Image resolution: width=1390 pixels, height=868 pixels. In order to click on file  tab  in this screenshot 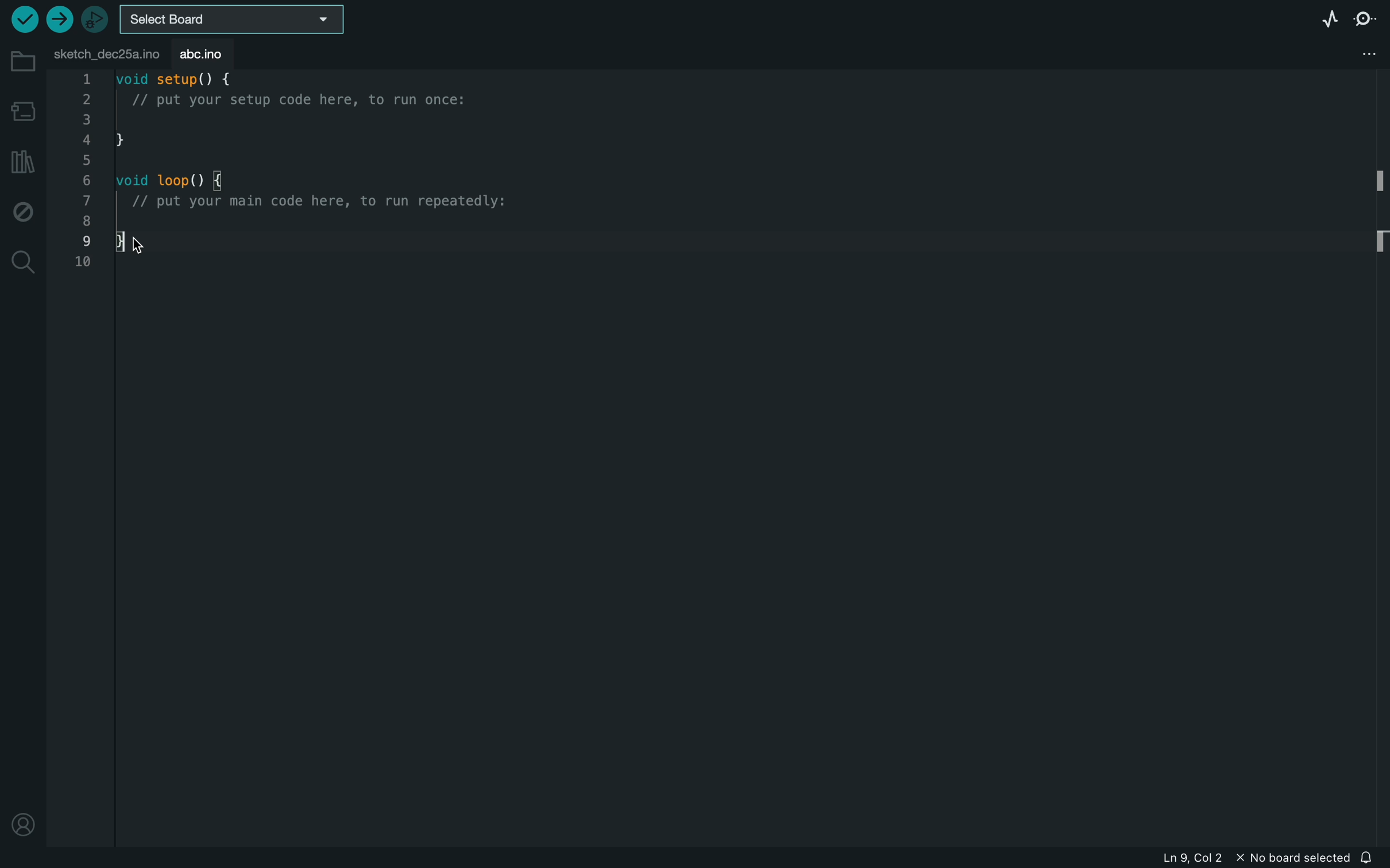, I will do `click(104, 53)`.